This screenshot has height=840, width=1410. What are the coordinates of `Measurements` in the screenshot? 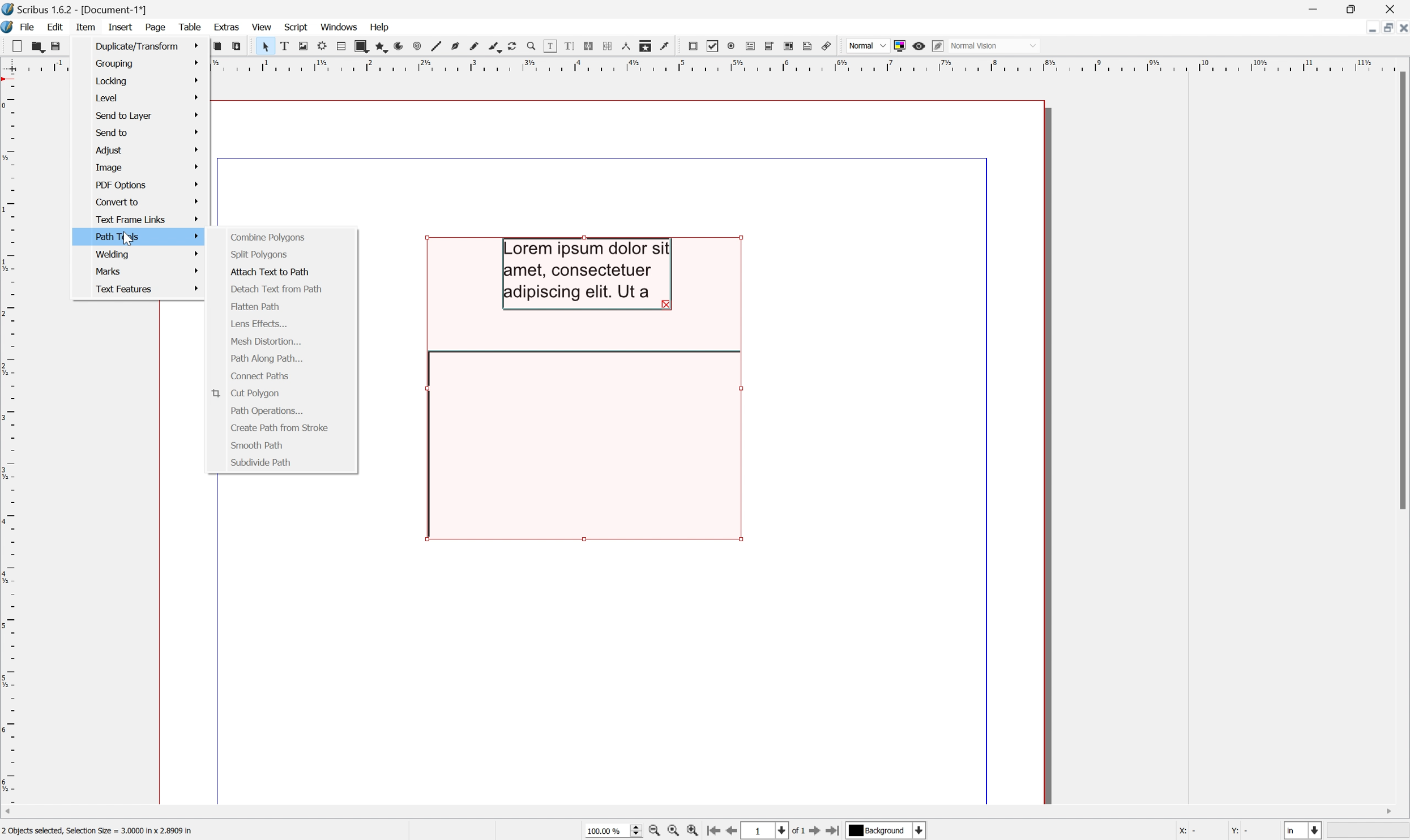 It's located at (627, 46).